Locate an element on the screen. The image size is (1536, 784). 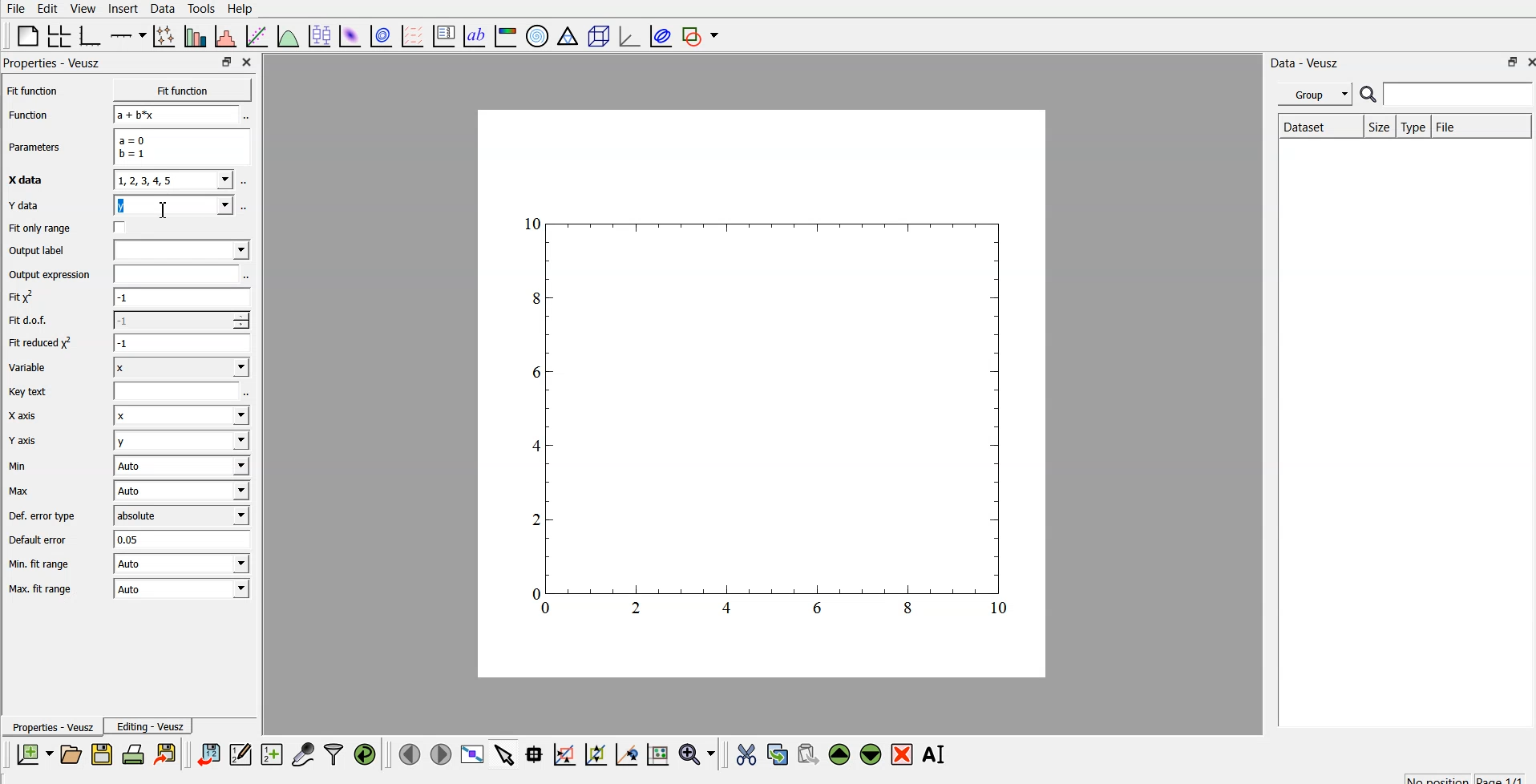
 Dataset is located at coordinates (1320, 126).